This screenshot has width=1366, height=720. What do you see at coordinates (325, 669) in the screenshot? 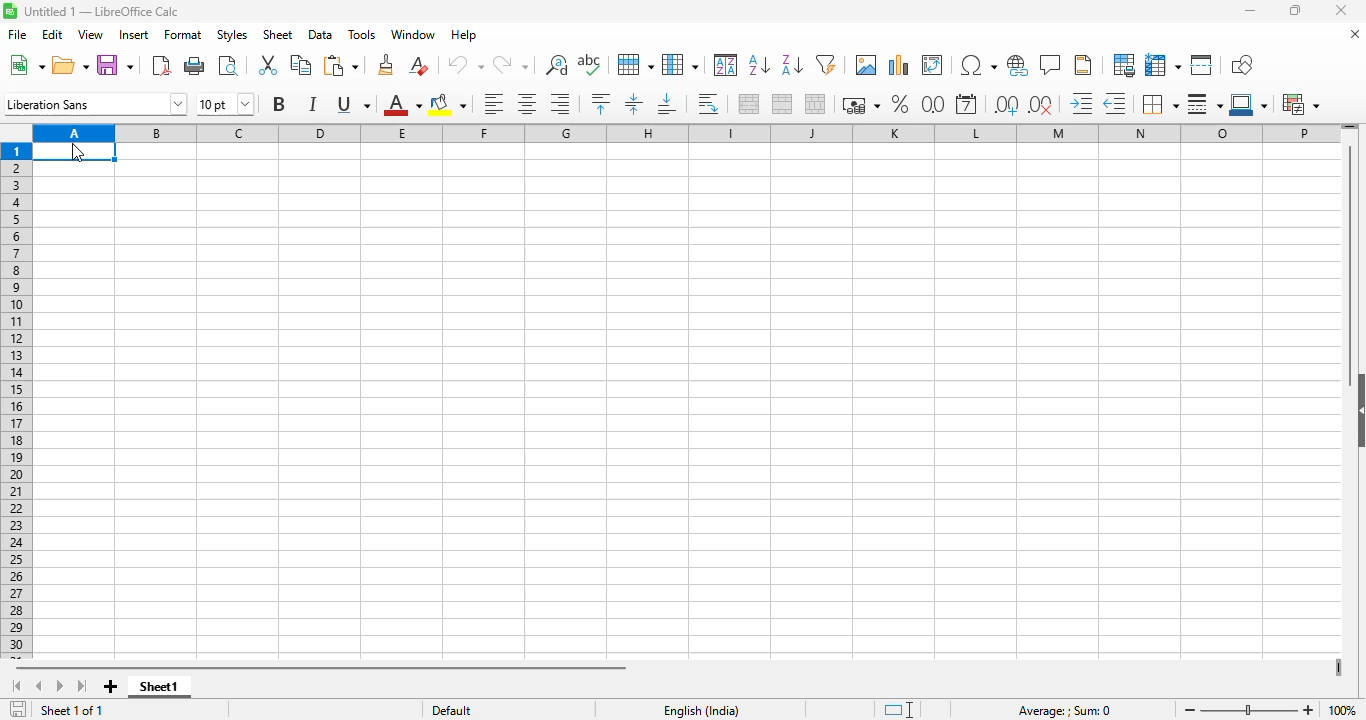
I see `horizontal scroll bar` at bounding box center [325, 669].